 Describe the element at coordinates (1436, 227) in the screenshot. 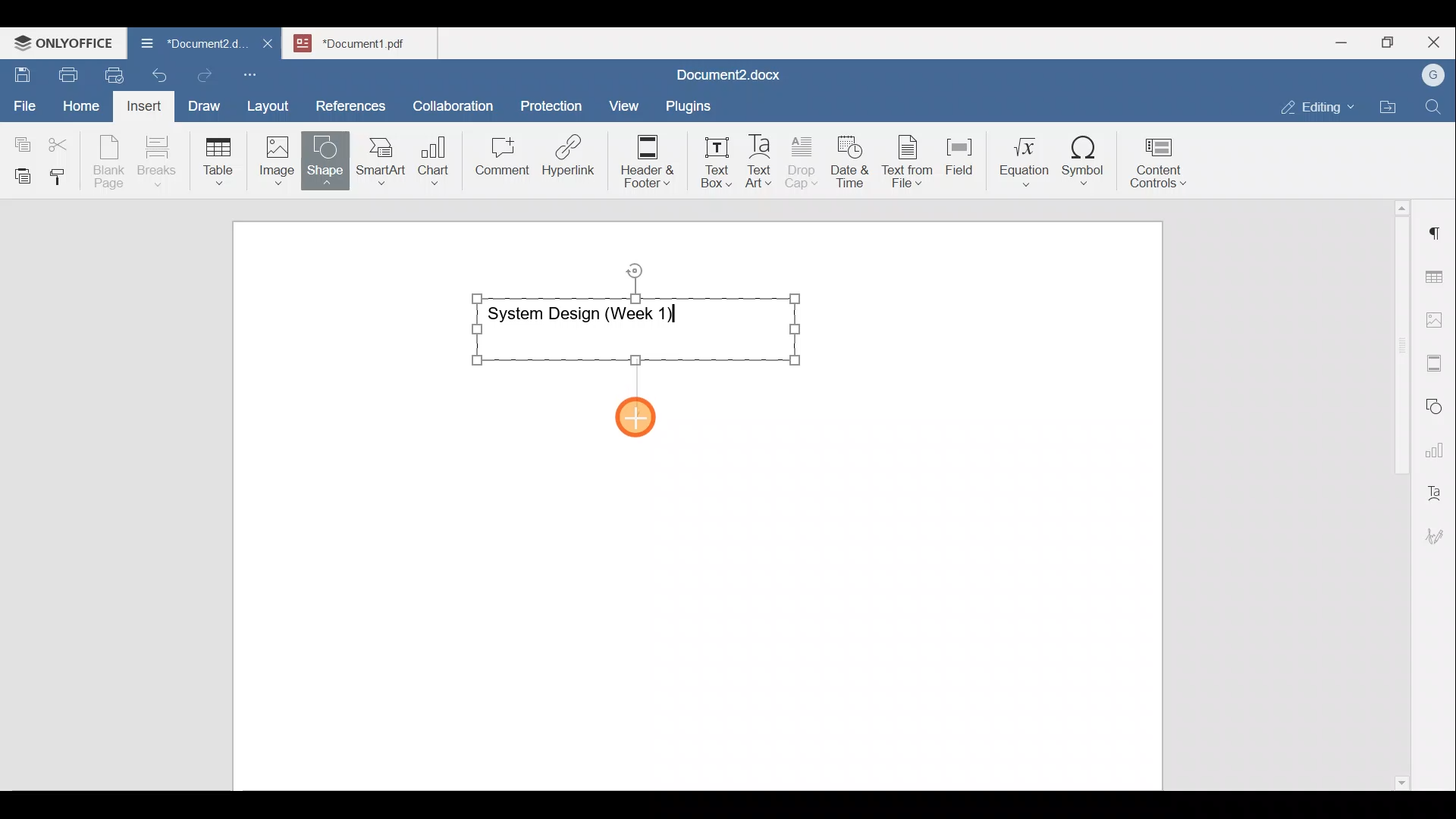

I see `Paragraph settings` at that location.